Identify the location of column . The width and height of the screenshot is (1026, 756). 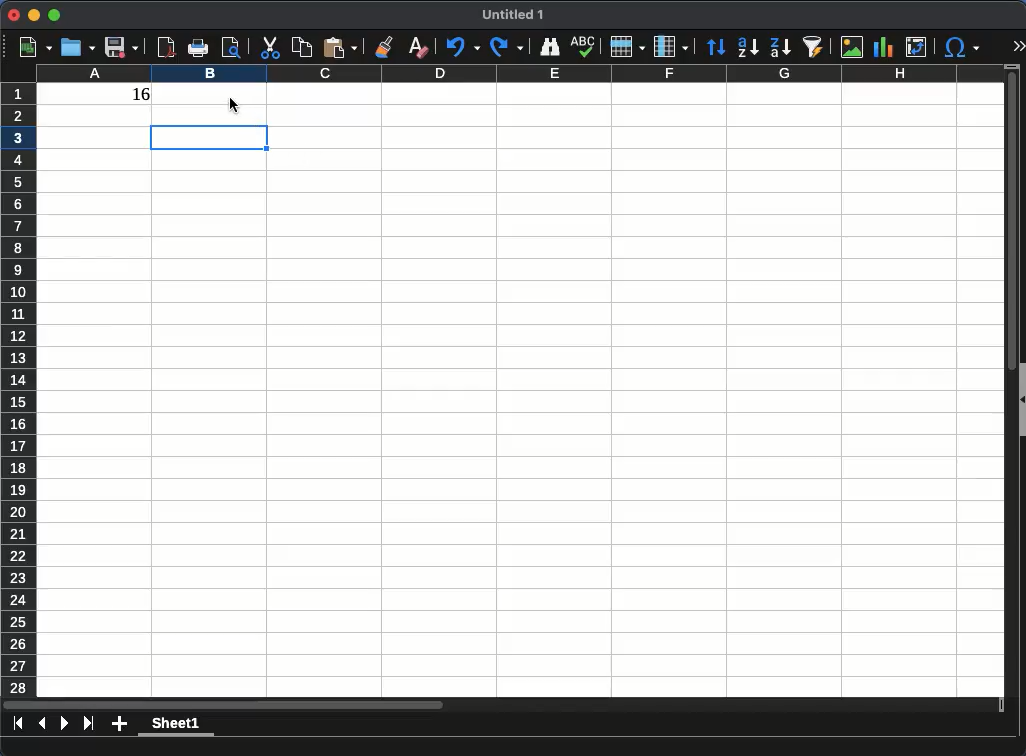
(671, 46).